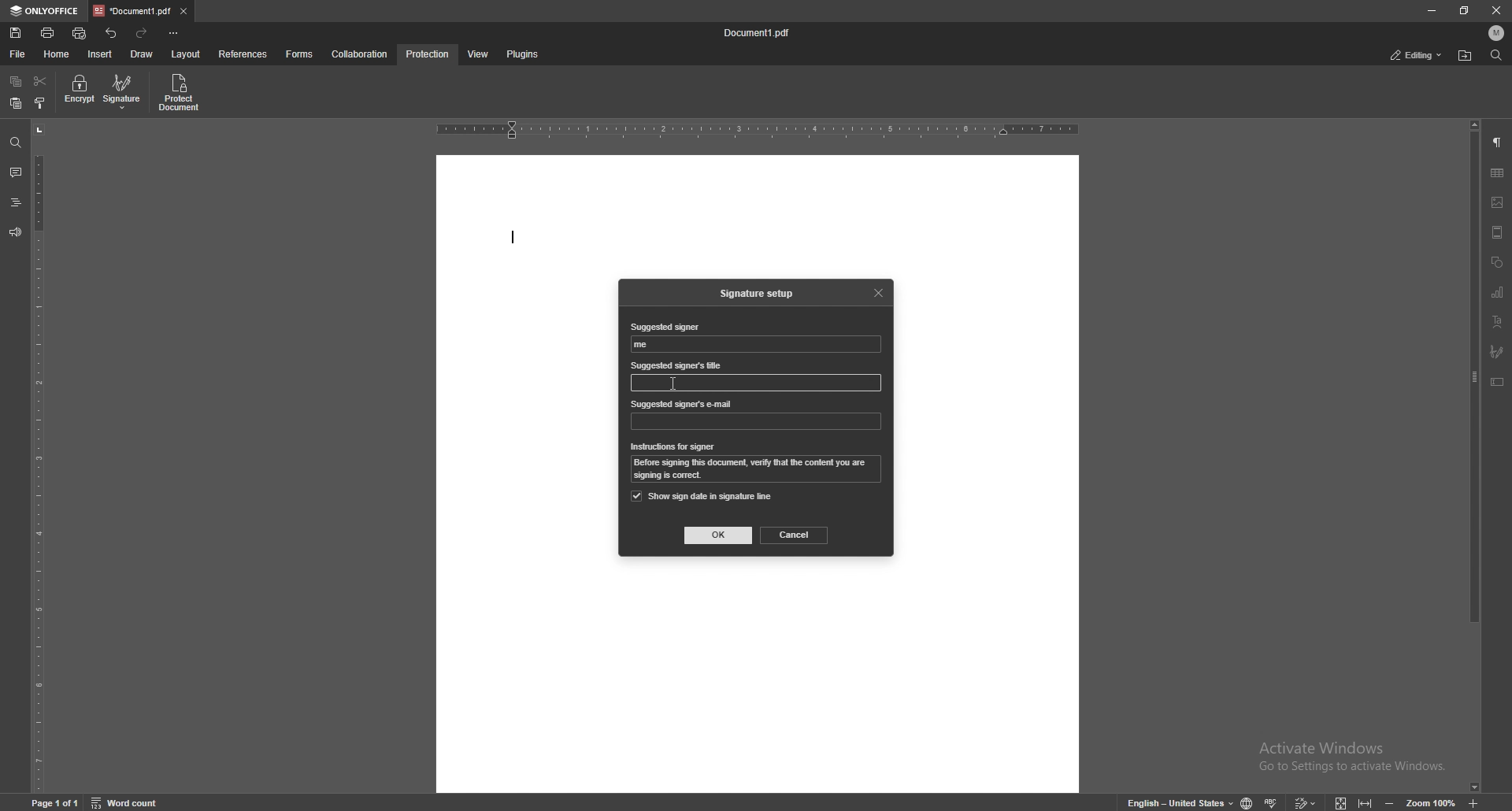 Image resolution: width=1512 pixels, height=811 pixels. Describe the element at coordinates (1497, 143) in the screenshot. I see `paragraph` at that location.